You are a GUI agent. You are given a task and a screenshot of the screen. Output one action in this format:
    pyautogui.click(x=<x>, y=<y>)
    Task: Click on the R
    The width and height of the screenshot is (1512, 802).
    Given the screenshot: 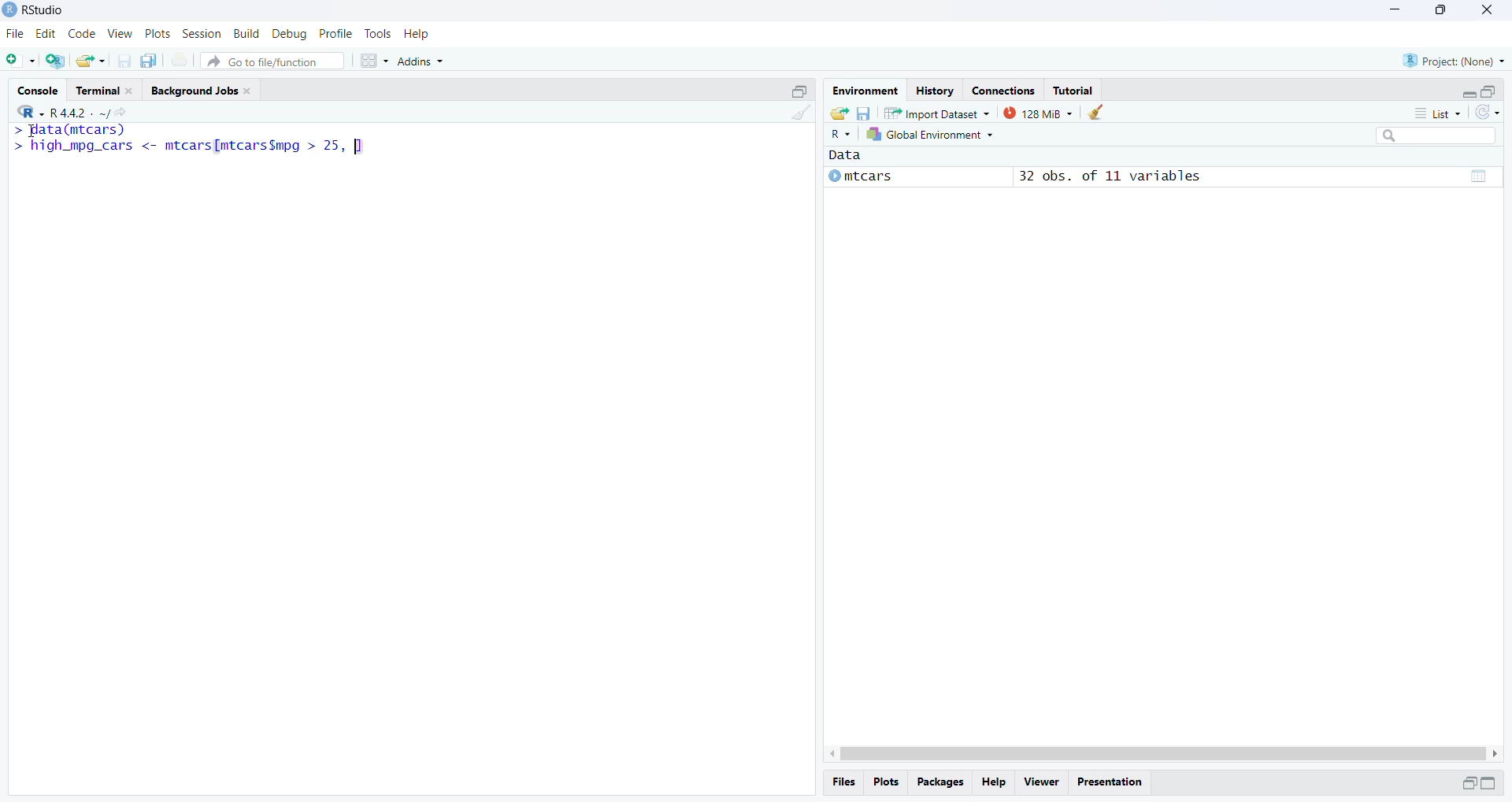 What is the action you would take?
    pyautogui.click(x=838, y=136)
    